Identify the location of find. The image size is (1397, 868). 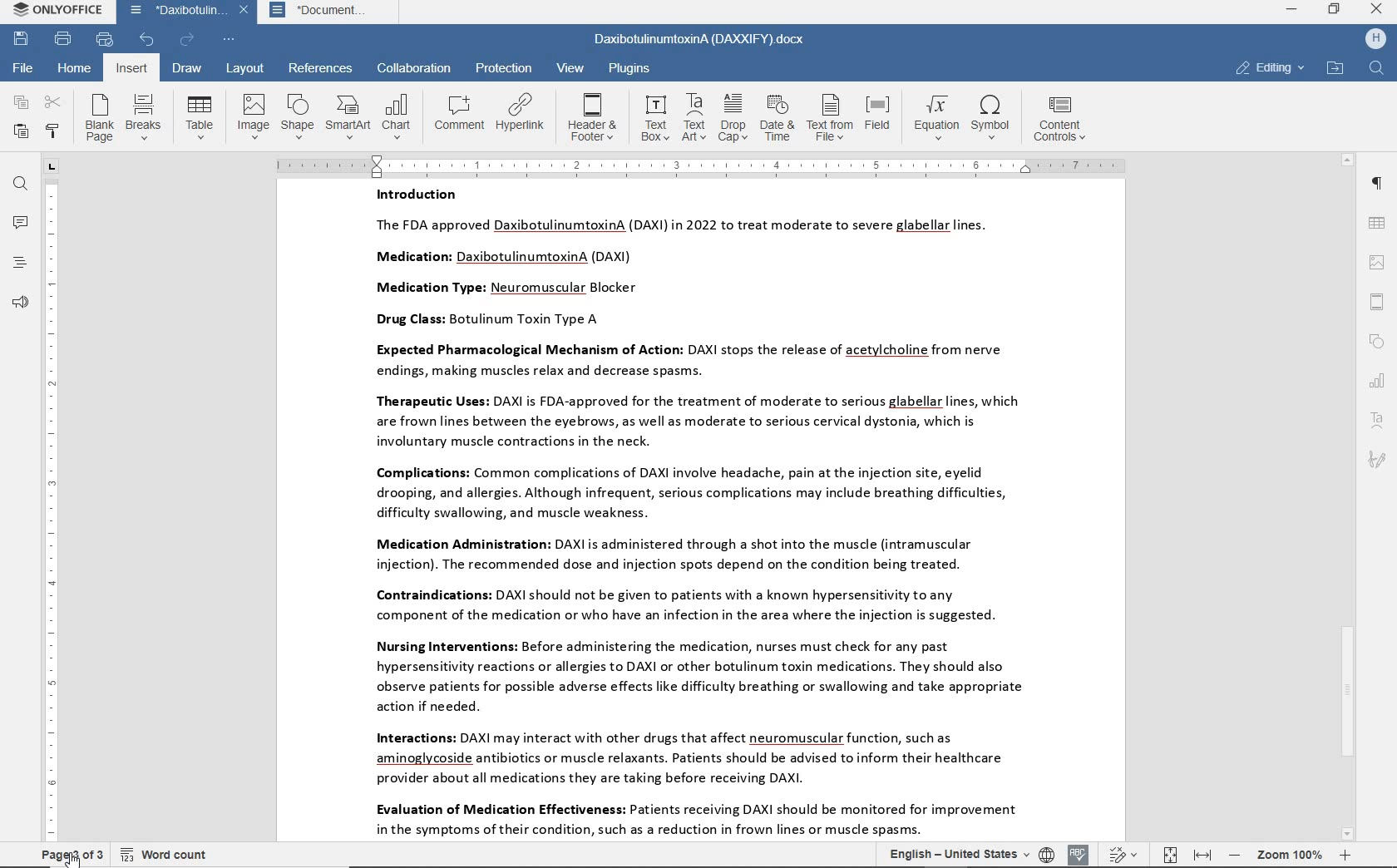
(1378, 69).